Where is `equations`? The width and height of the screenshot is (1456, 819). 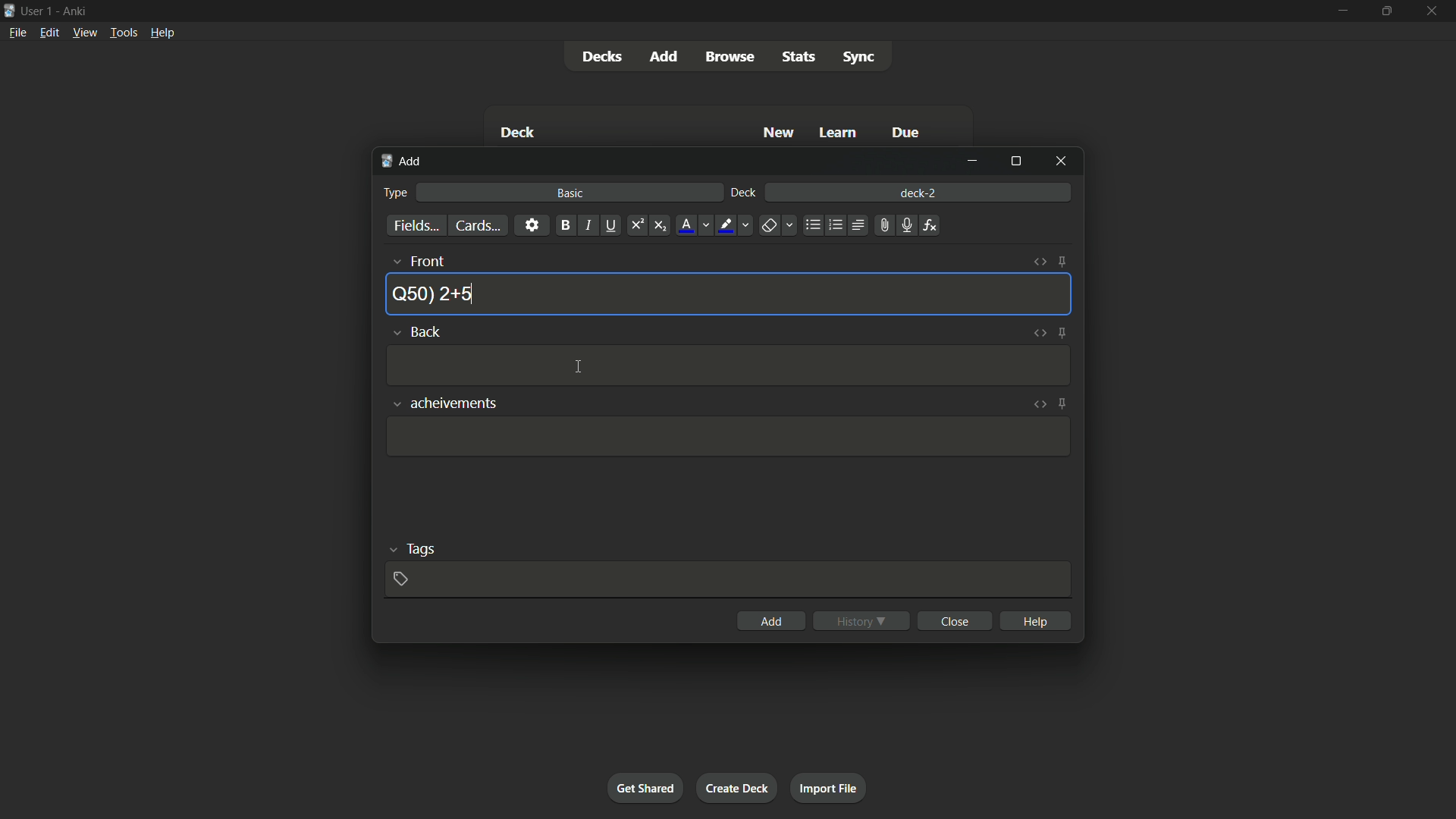
equations is located at coordinates (930, 225).